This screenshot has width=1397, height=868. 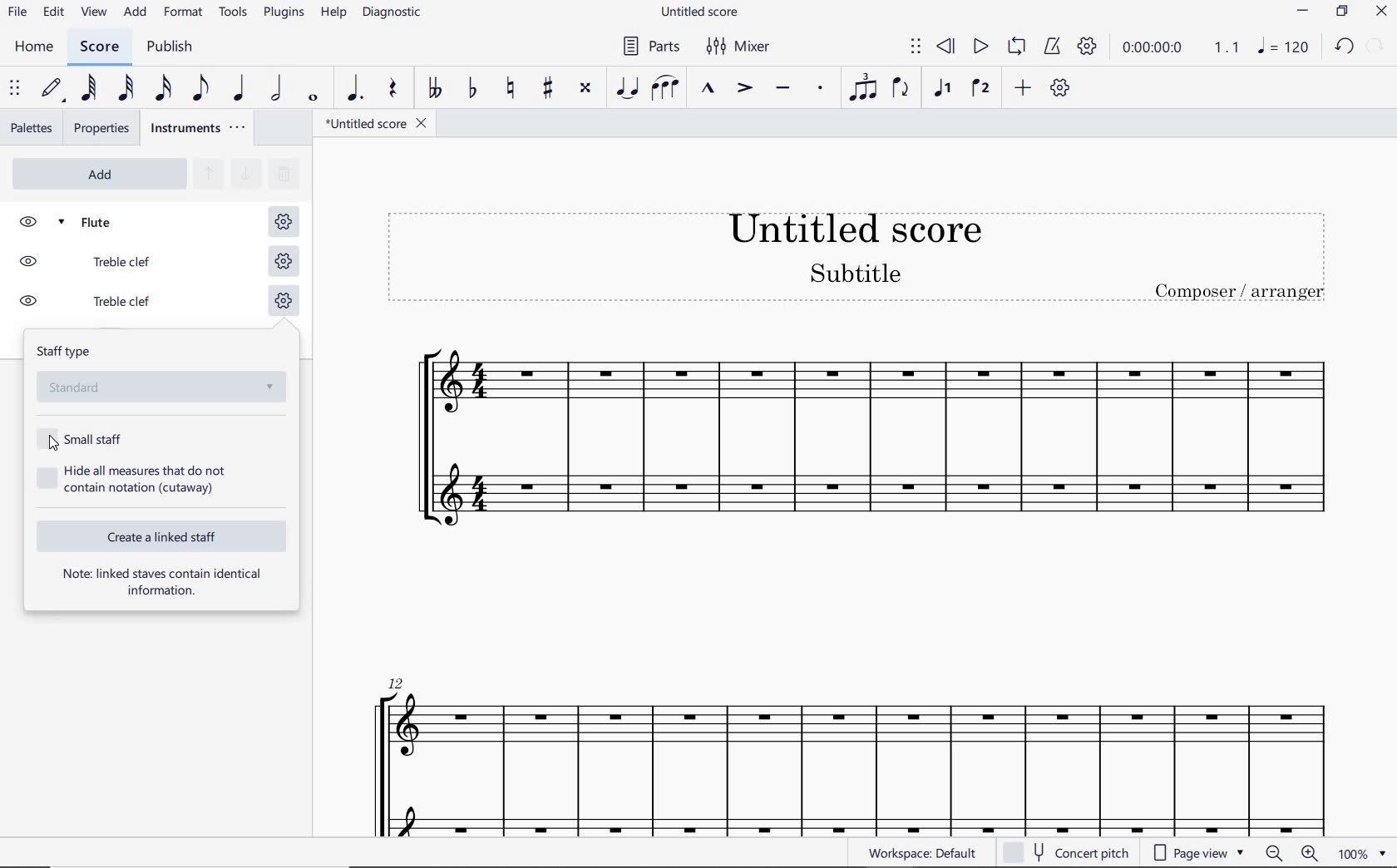 I want to click on 16TH NOTE, so click(x=164, y=89).